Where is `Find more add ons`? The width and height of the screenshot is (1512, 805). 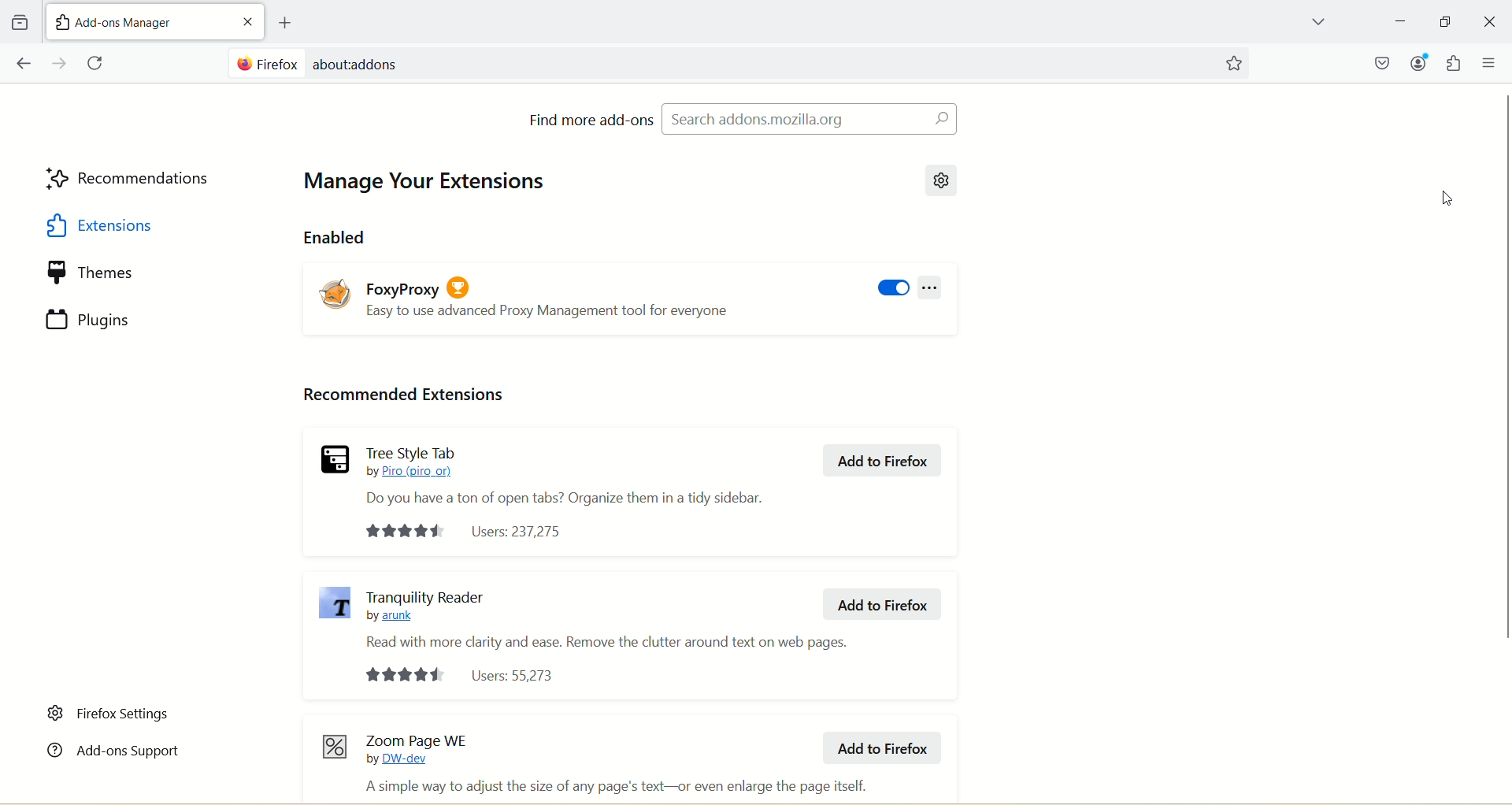
Find more add ons is located at coordinates (591, 119).